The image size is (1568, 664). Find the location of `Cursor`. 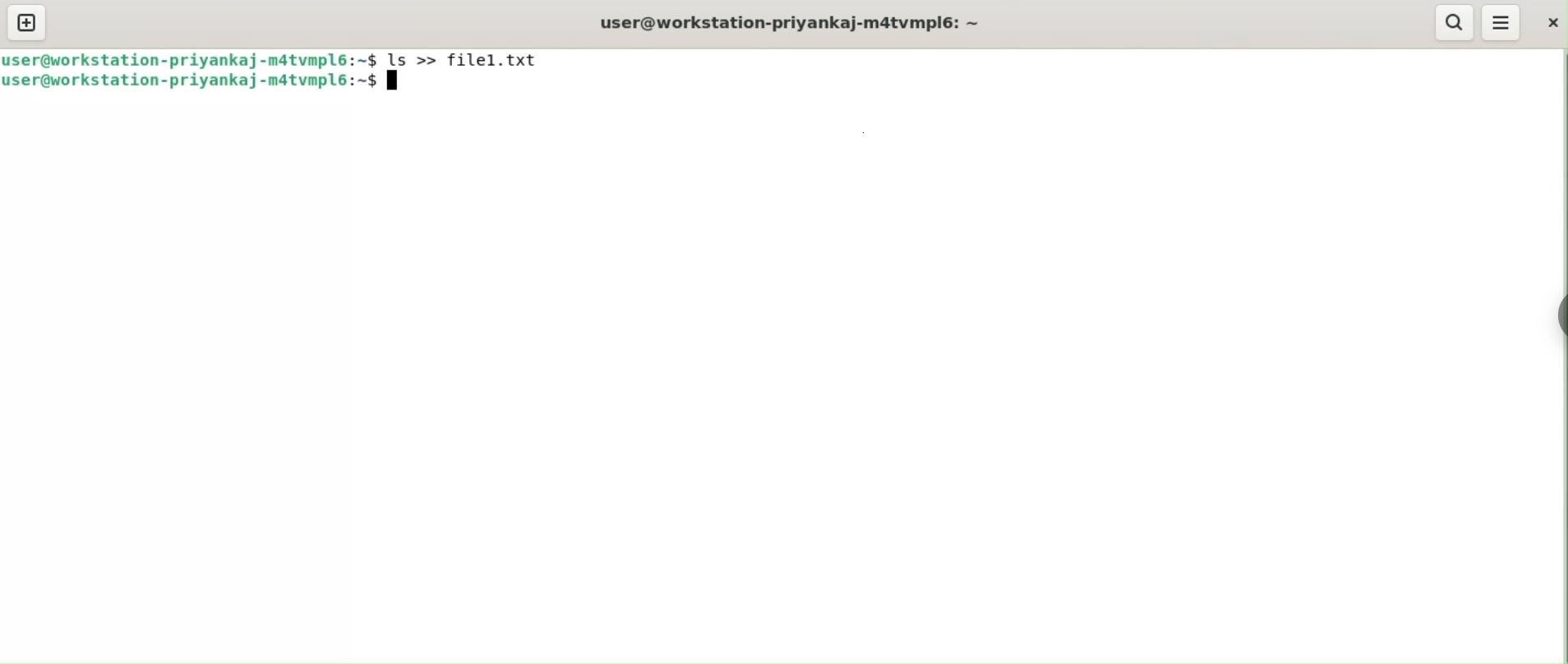

Cursor is located at coordinates (399, 84).